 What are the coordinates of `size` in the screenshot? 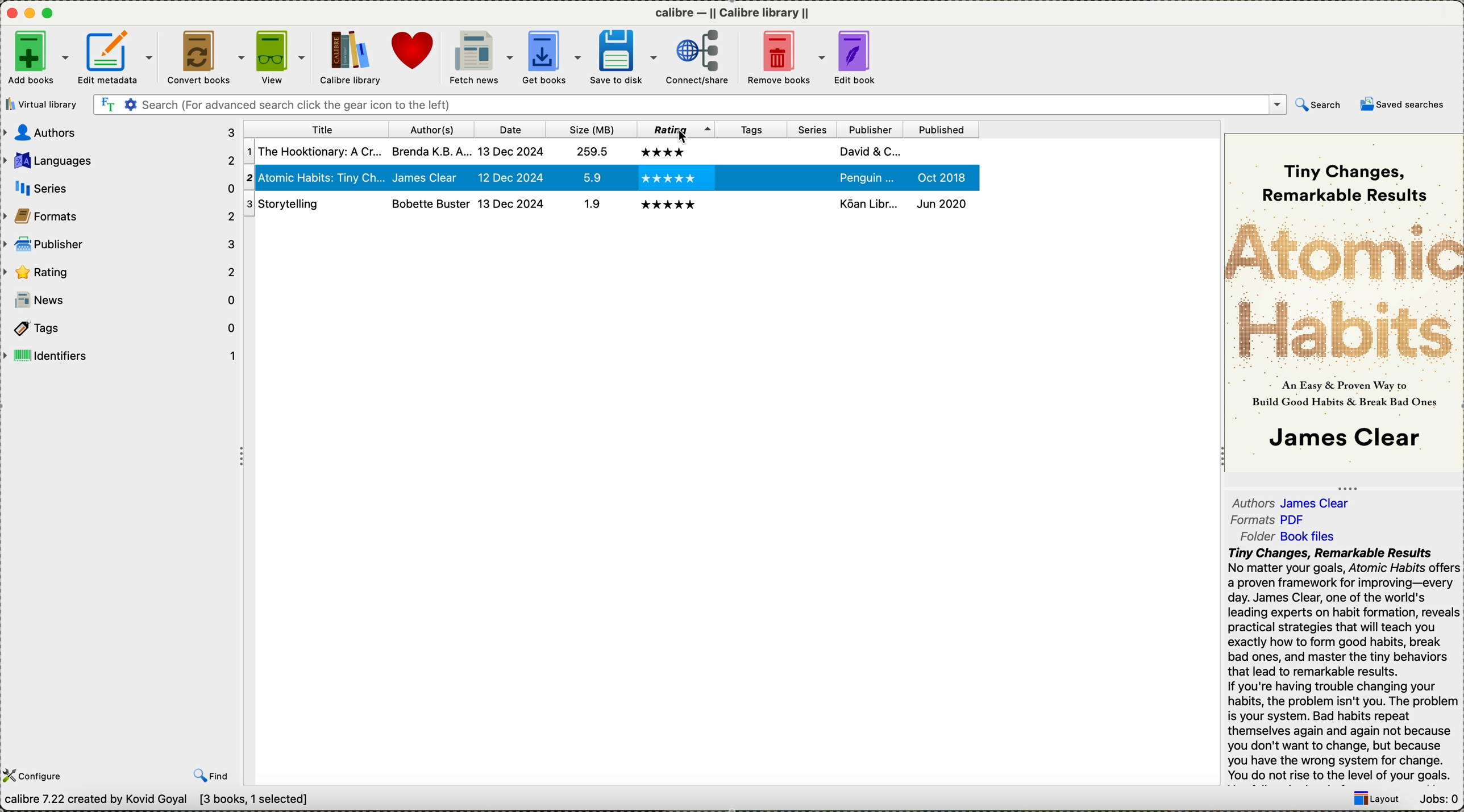 It's located at (590, 129).